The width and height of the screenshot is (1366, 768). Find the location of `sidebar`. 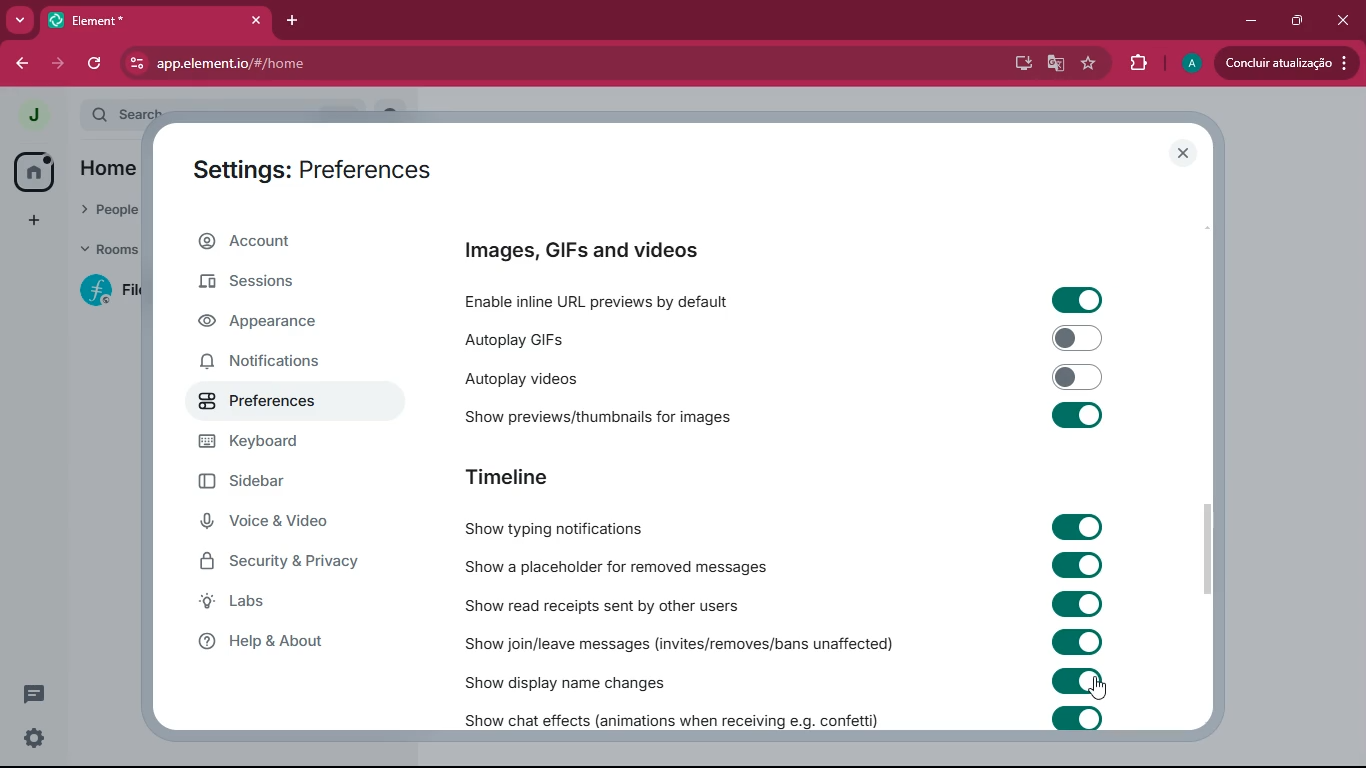

sidebar is located at coordinates (260, 481).